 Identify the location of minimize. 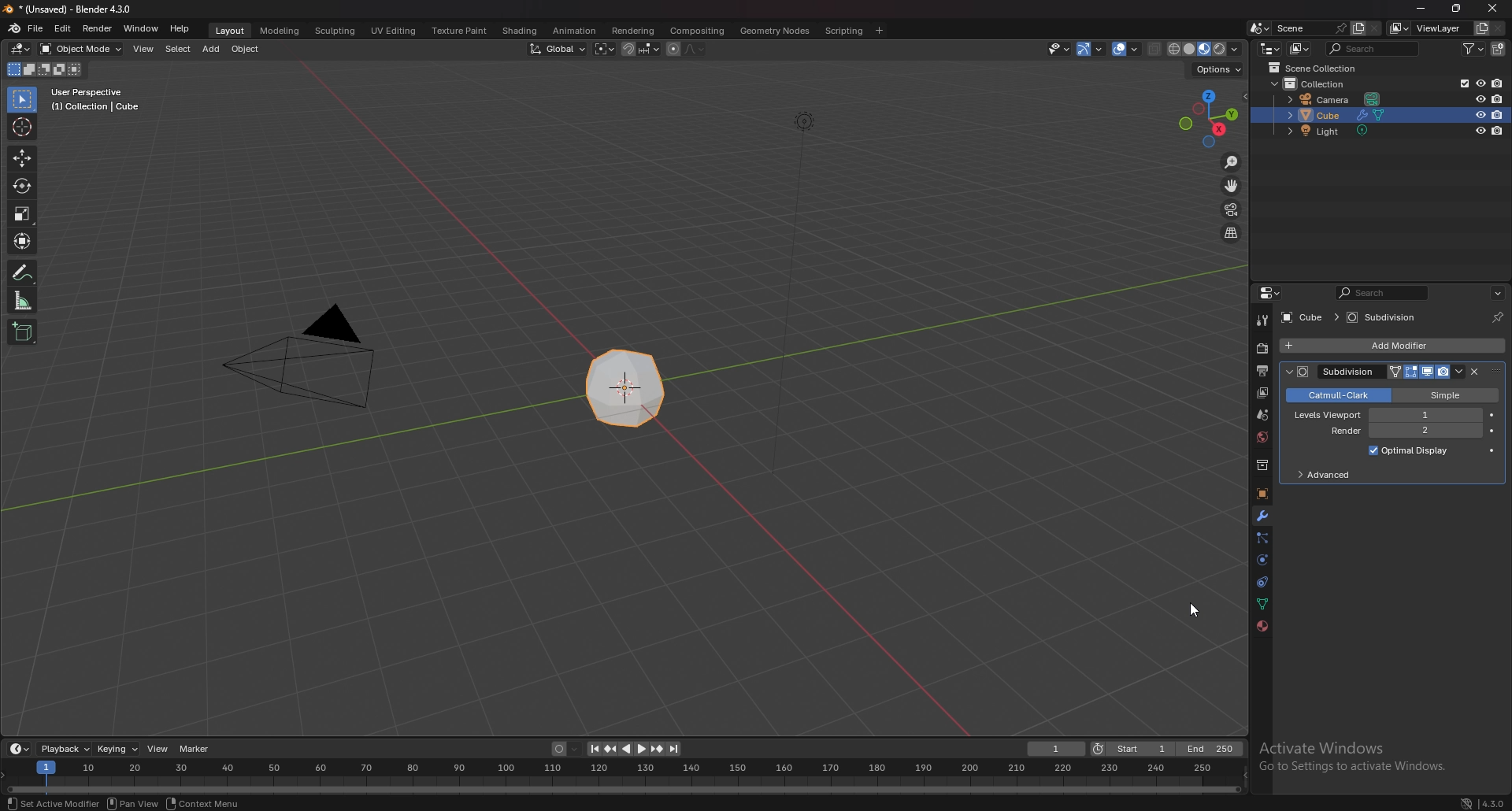
(1421, 9).